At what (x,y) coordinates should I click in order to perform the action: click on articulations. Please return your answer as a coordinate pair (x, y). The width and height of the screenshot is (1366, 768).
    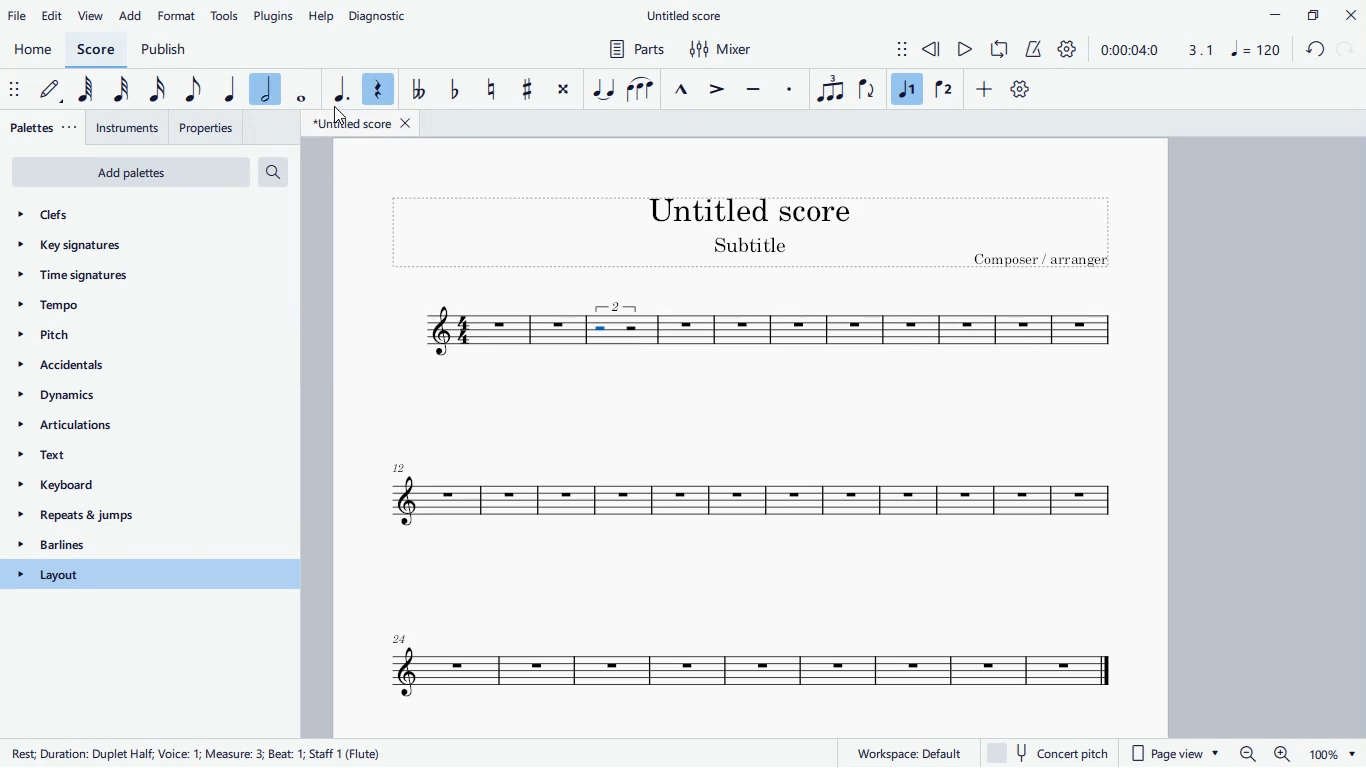
    Looking at the image, I should click on (136, 429).